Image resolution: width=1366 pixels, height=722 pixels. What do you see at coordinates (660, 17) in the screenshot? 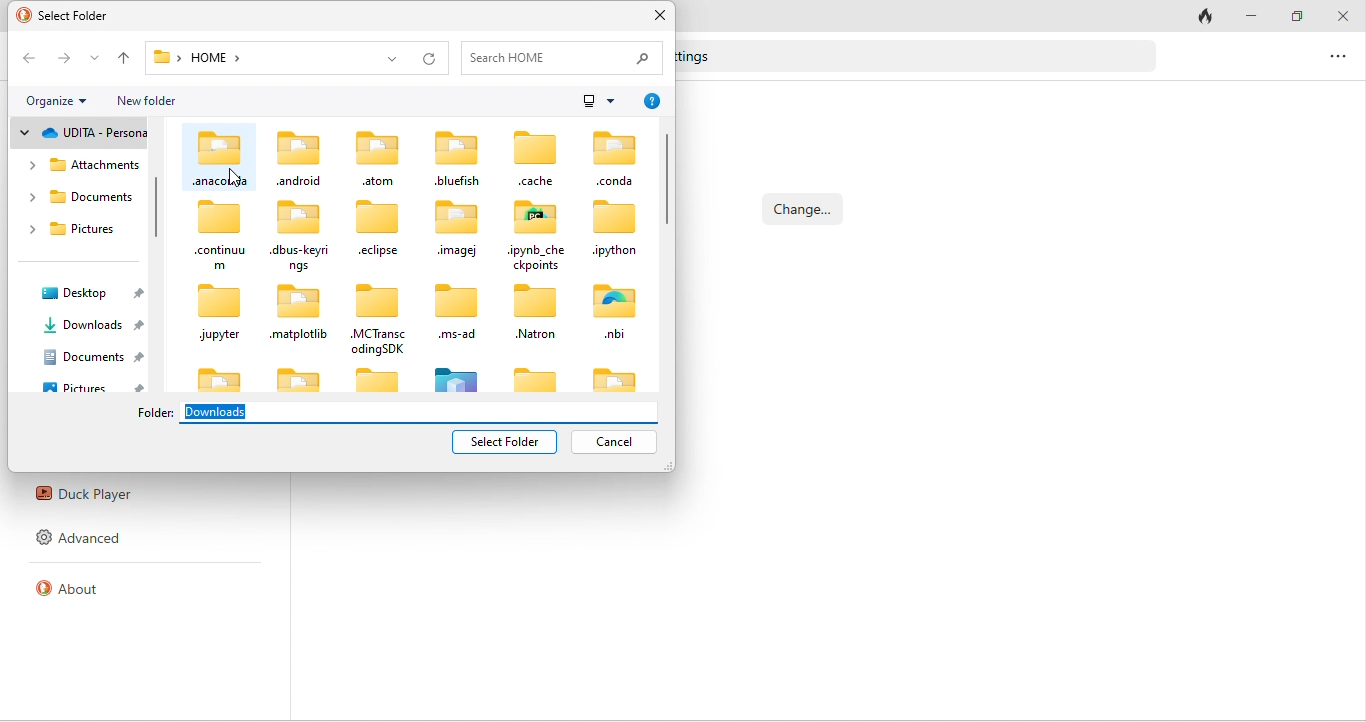
I see `close` at bounding box center [660, 17].